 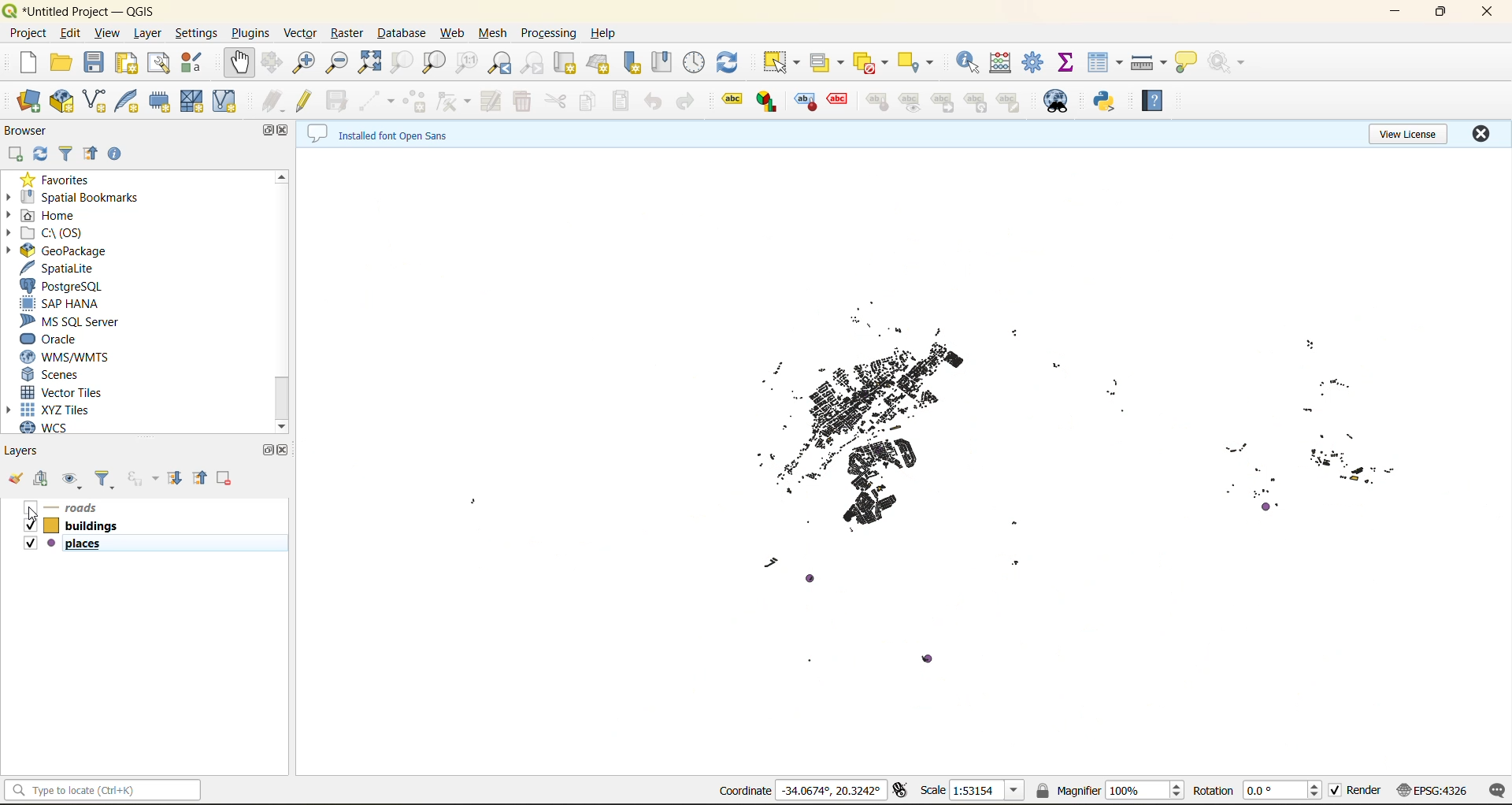 I want to click on zoom native, so click(x=464, y=65).